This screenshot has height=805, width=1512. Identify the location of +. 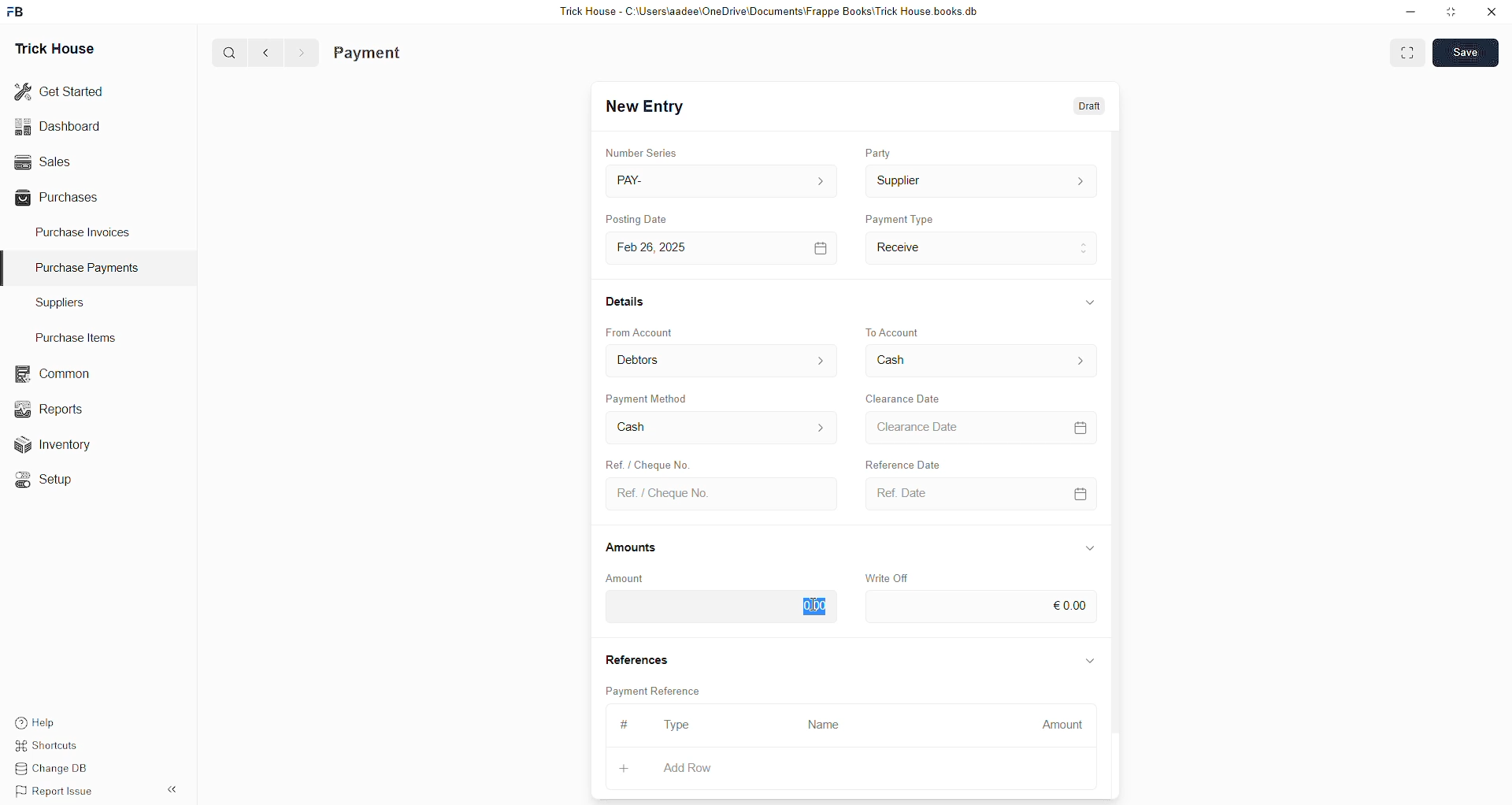
(623, 769).